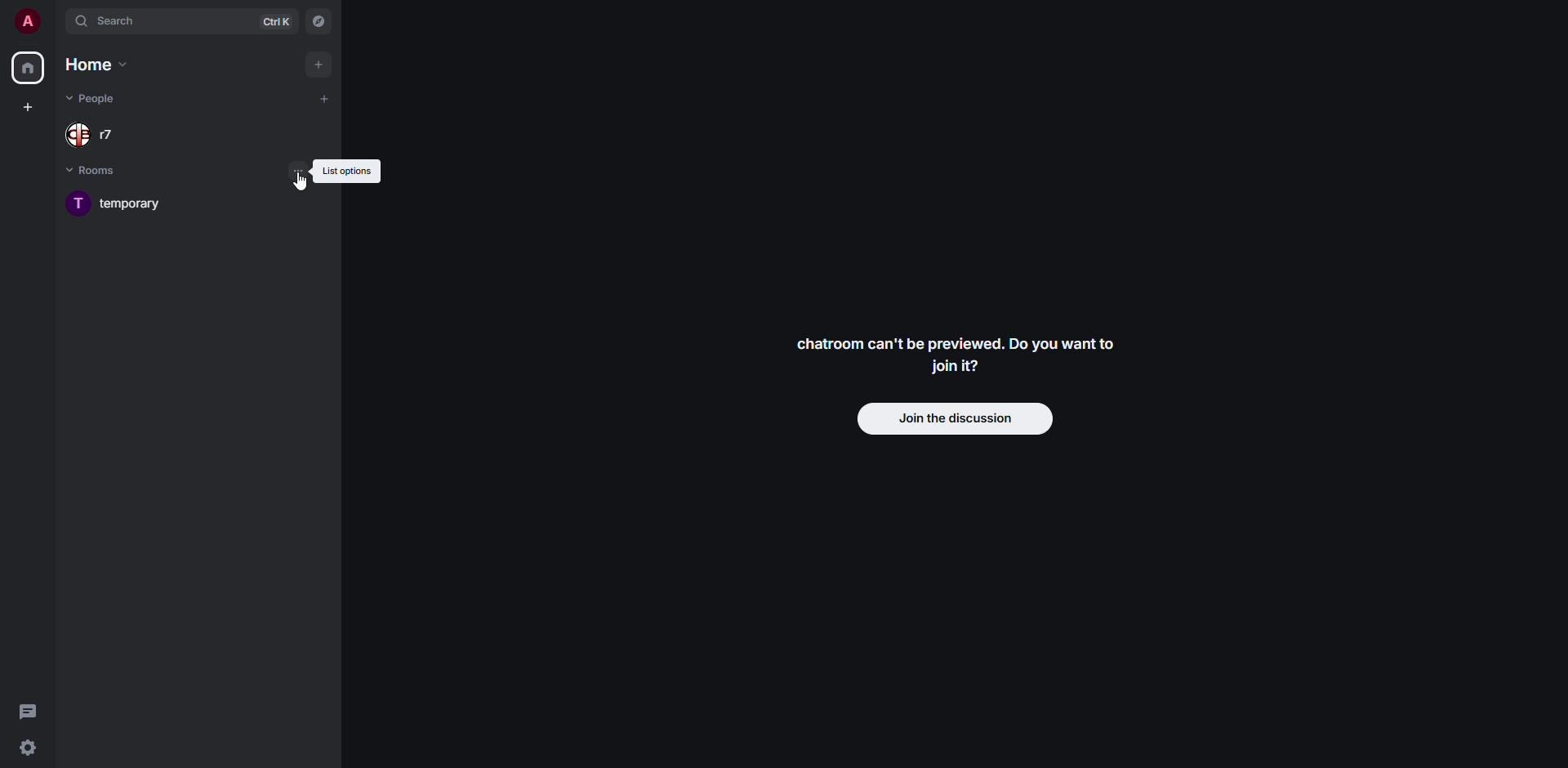  What do you see at coordinates (295, 193) in the screenshot?
I see `cursor` at bounding box center [295, 193].